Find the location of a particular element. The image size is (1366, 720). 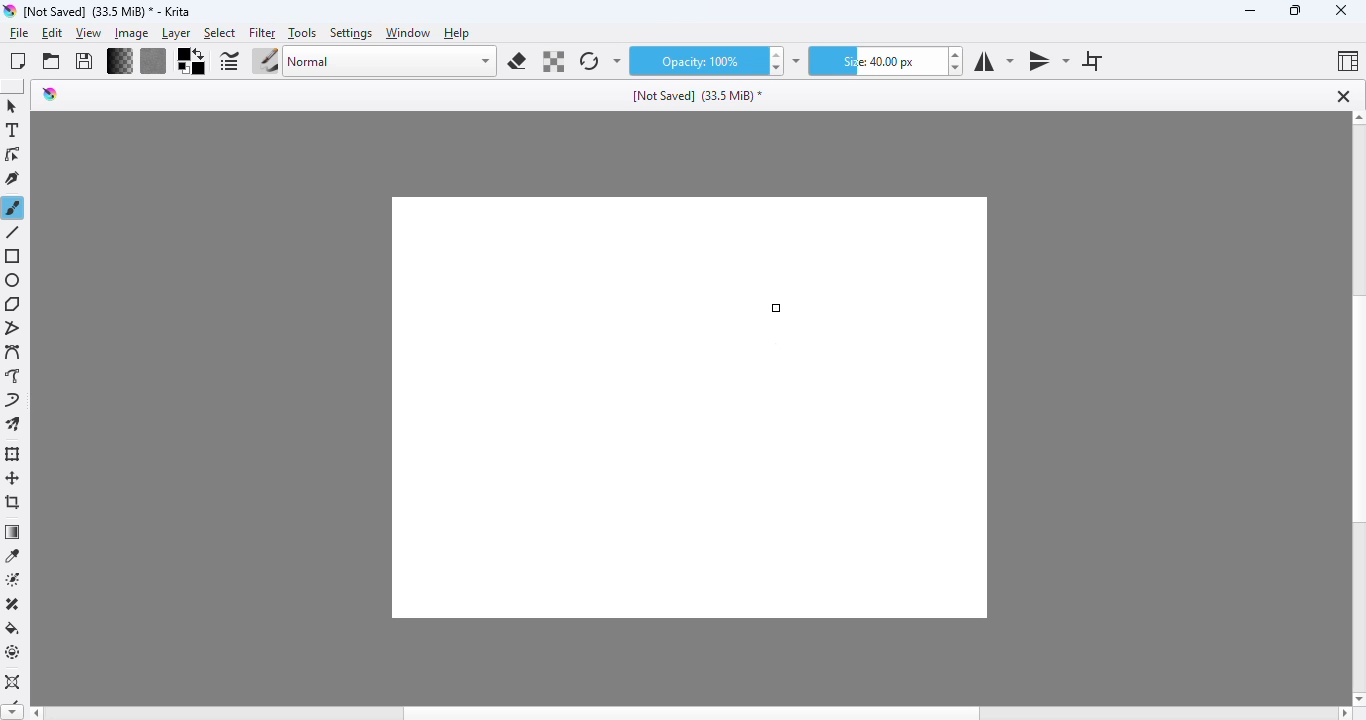

smart patch tool is located at coordinates (14, 605).